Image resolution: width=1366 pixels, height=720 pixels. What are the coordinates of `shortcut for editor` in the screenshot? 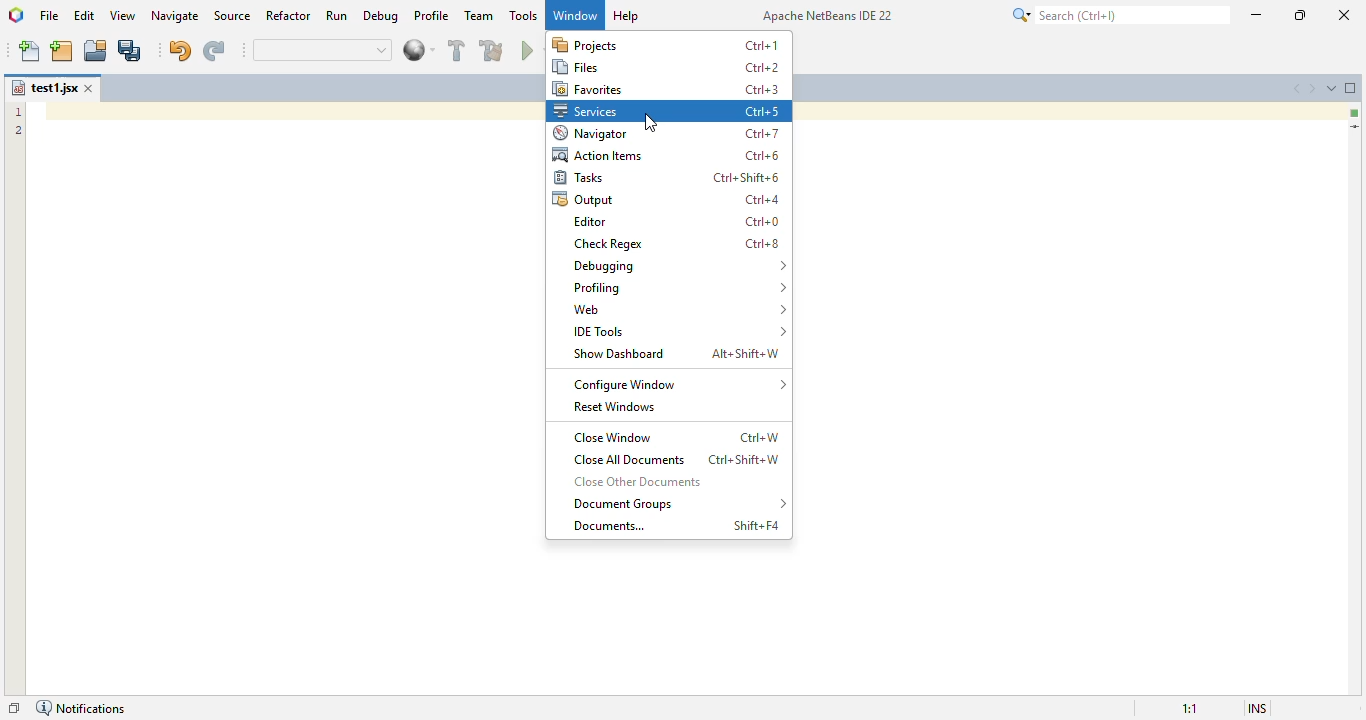 It's located at (762, 223).